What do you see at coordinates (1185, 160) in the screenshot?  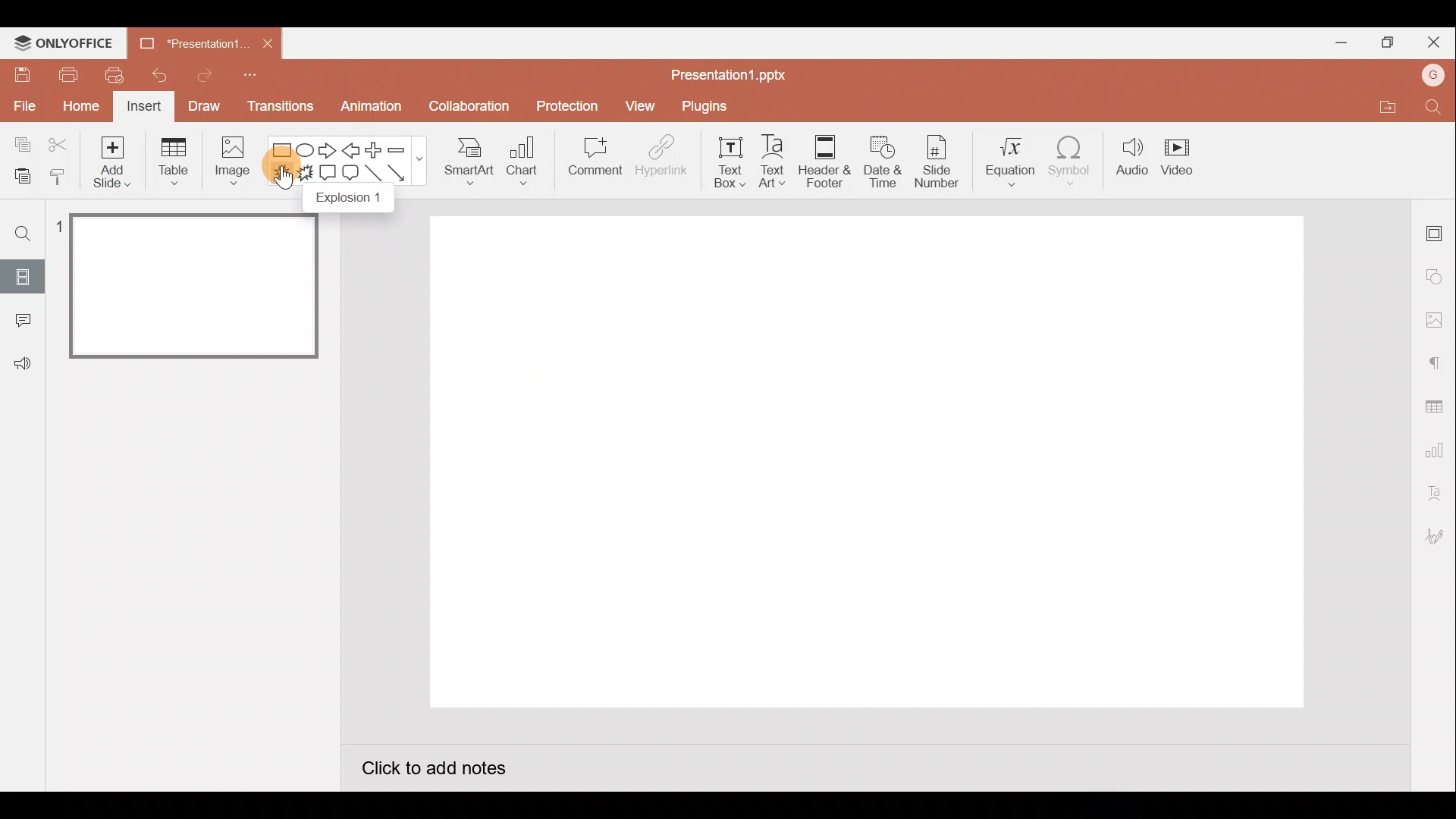 I see `Video` at bounding box center [1185, 160].